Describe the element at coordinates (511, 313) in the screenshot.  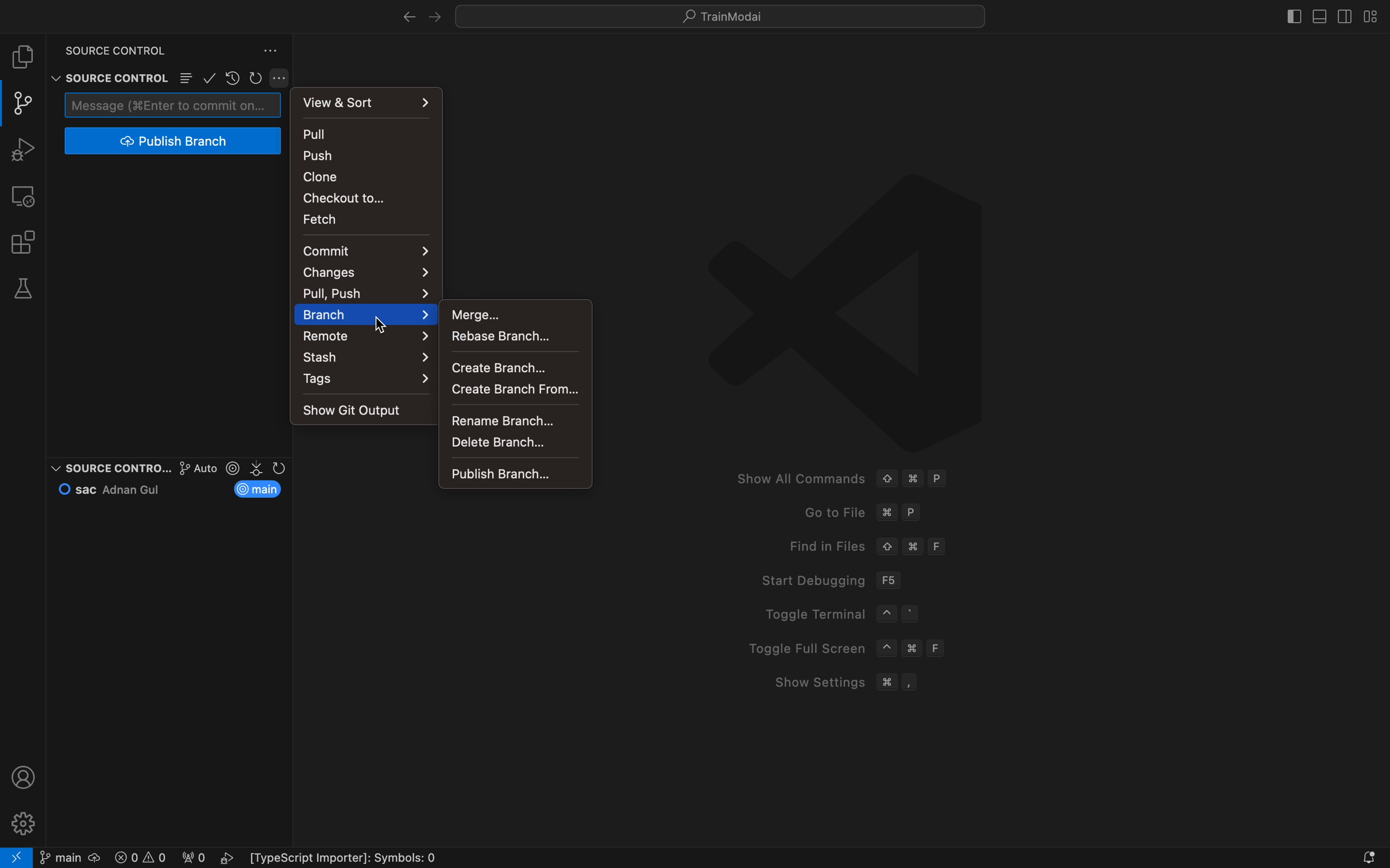
I see `merge` at that location.